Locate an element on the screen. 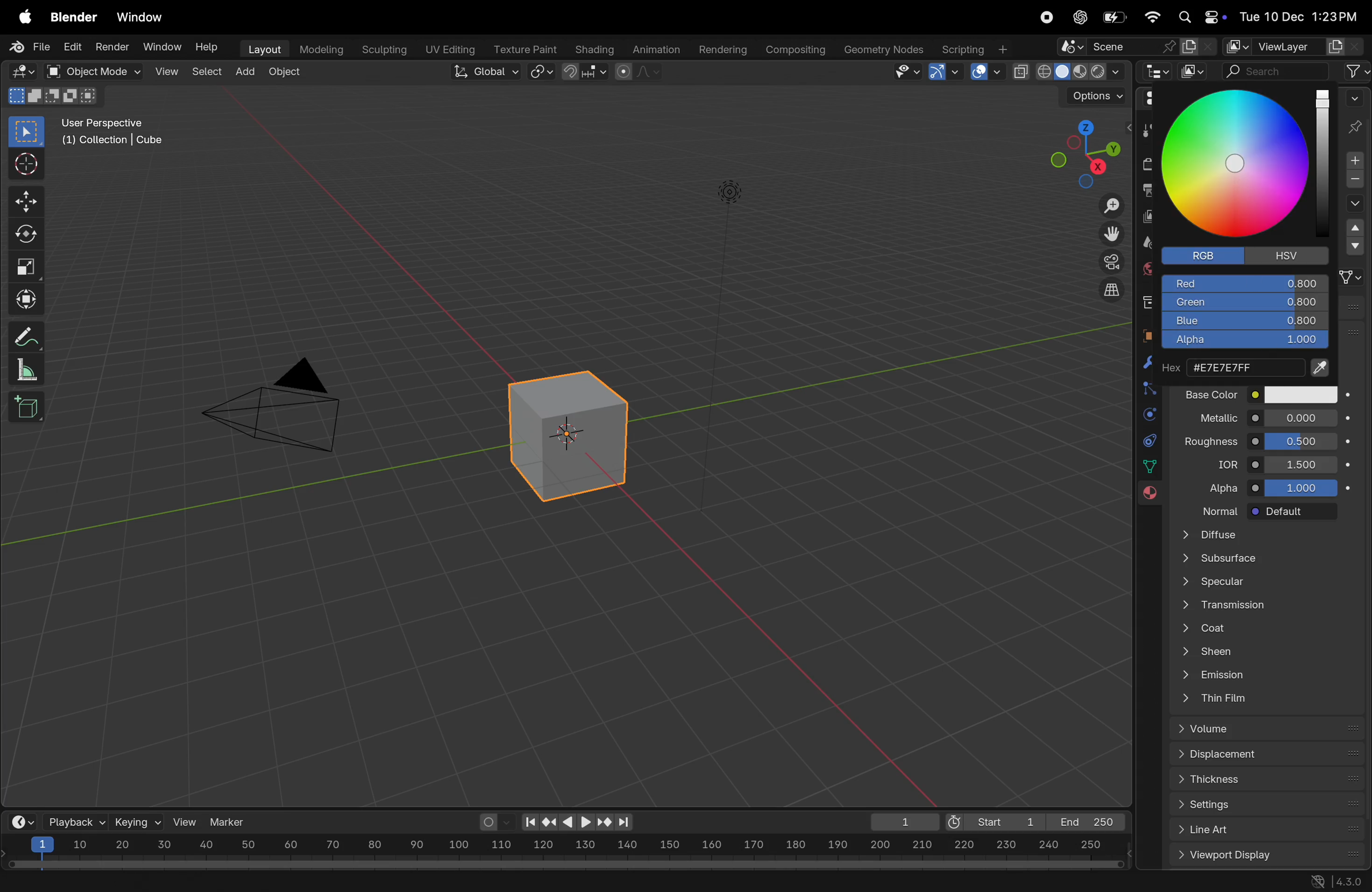  cursor is located at coordinates (24, 165).